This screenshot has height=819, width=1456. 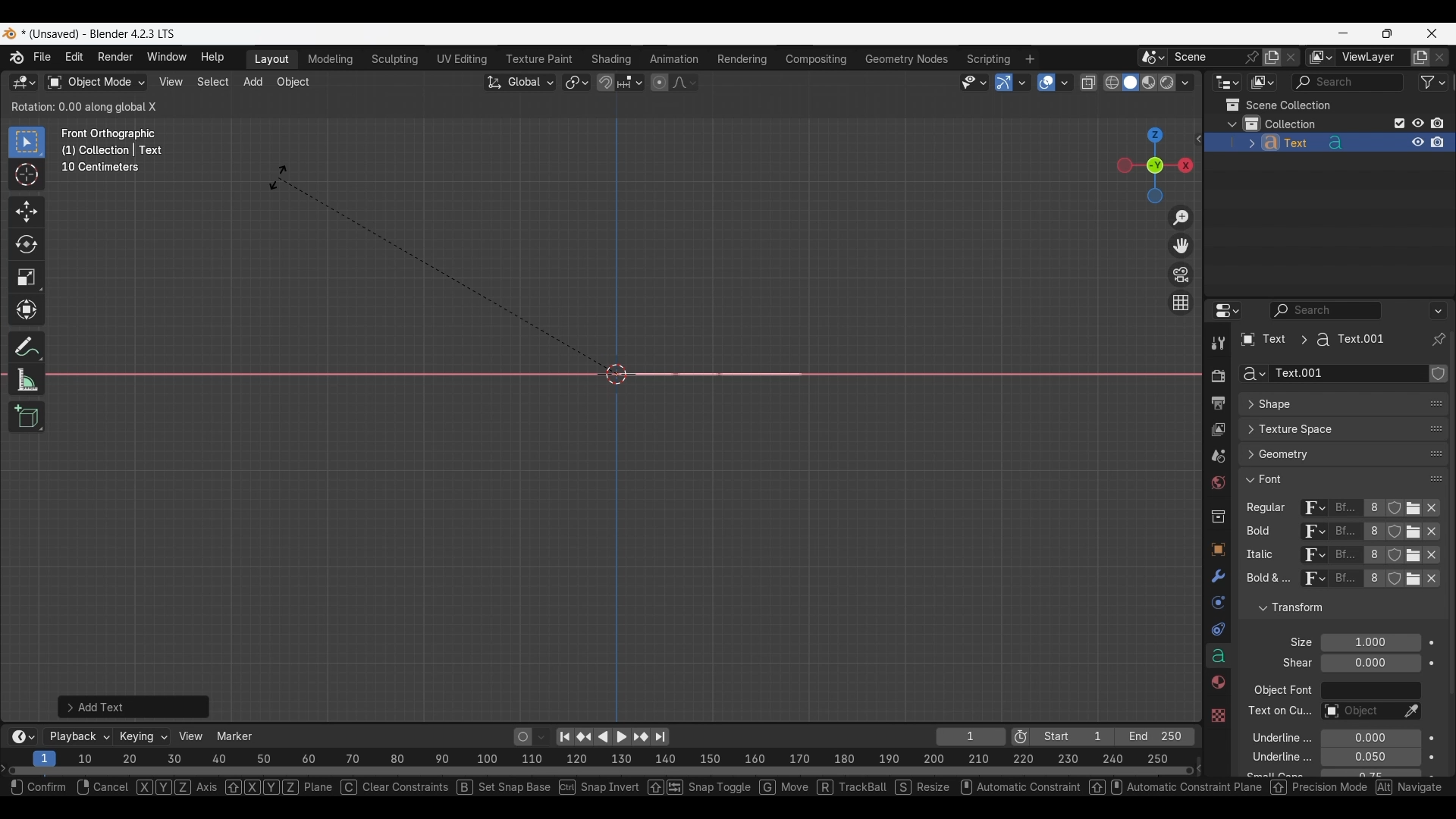 What do you see at coordinates (27, 347) in the screenshot?
I see `Annotate` at bounding box center [27, 347].